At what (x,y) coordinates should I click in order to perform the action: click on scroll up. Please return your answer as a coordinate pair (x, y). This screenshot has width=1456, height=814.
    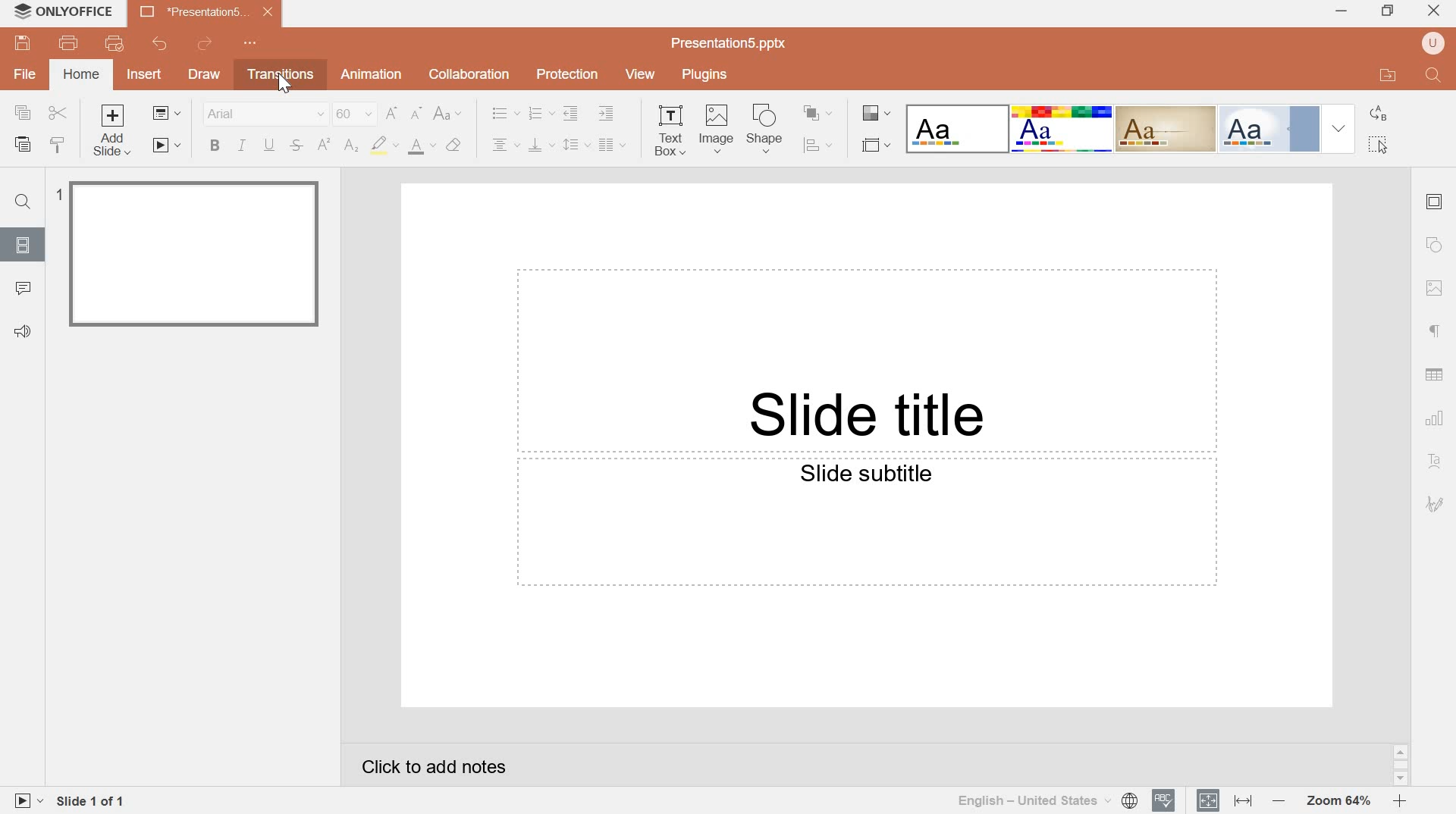
    Looking at the image, I should click on (1401, 752).